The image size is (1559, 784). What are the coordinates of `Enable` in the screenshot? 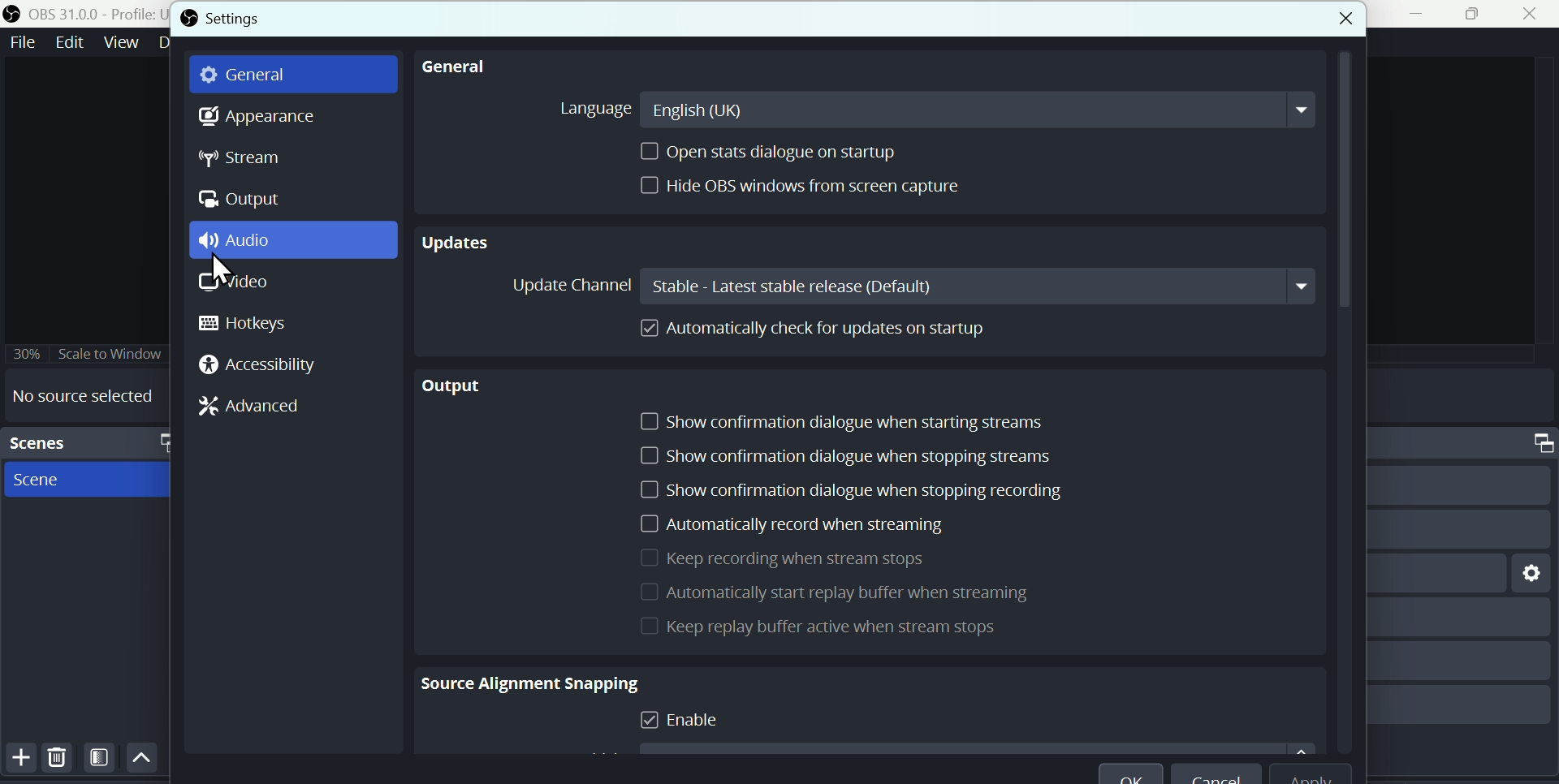 It's located at (680, 721).